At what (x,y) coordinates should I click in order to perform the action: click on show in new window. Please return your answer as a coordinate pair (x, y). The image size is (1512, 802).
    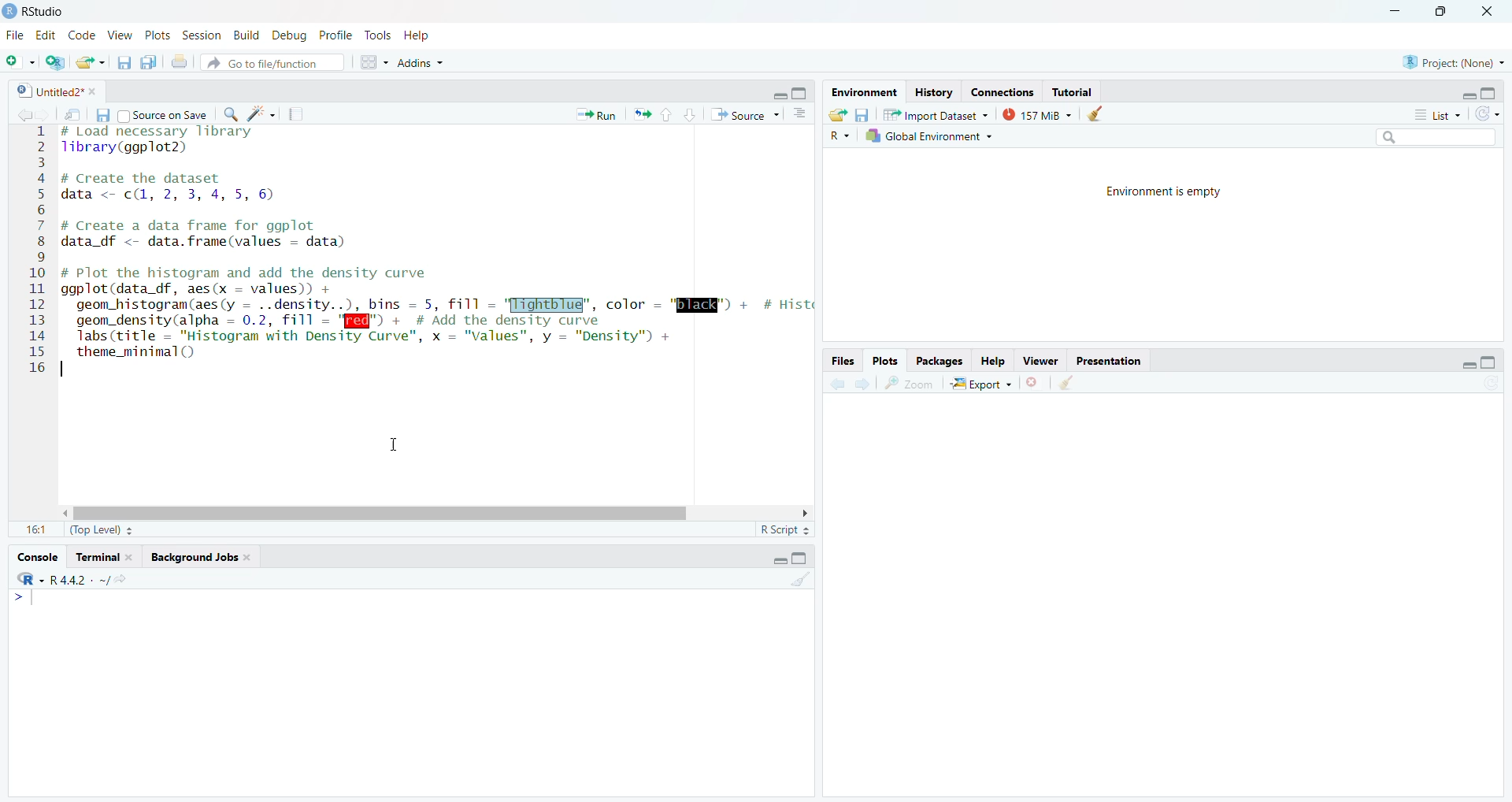
    Looking at the image, I should click on (72, 114).